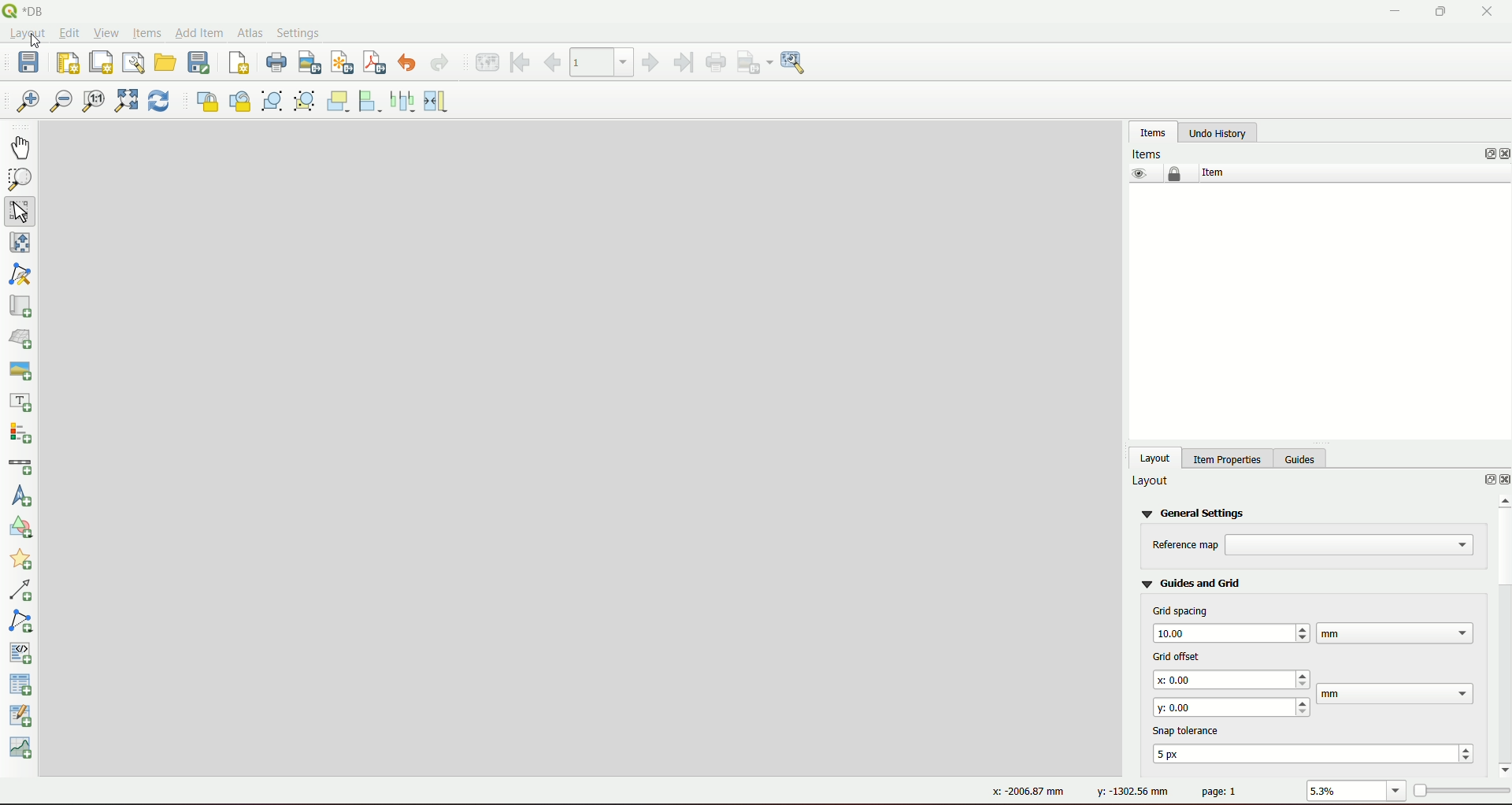  Describe the element at coordinates (1397, 792) in the screenshot. I see `zoom` at that location.